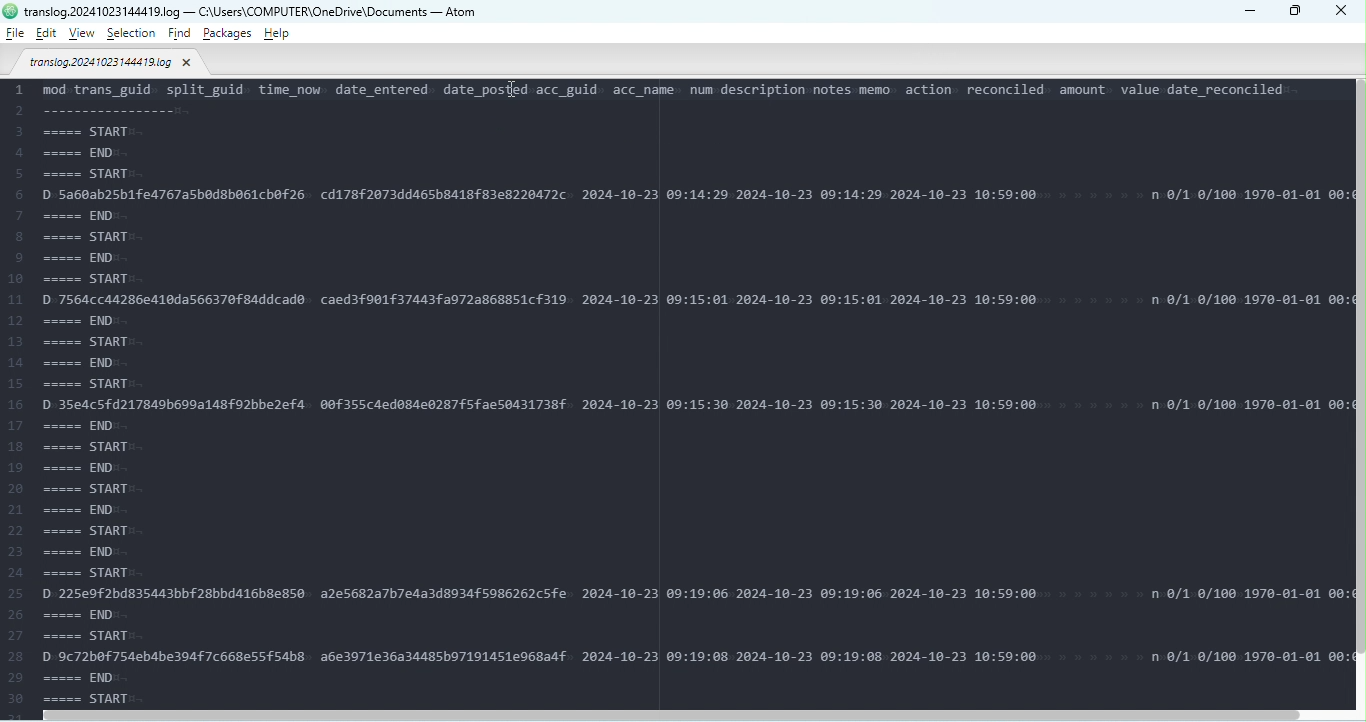 The height and width of the screenshot is (722, 1366). I want to click on Minimize, so click(1248, 10).